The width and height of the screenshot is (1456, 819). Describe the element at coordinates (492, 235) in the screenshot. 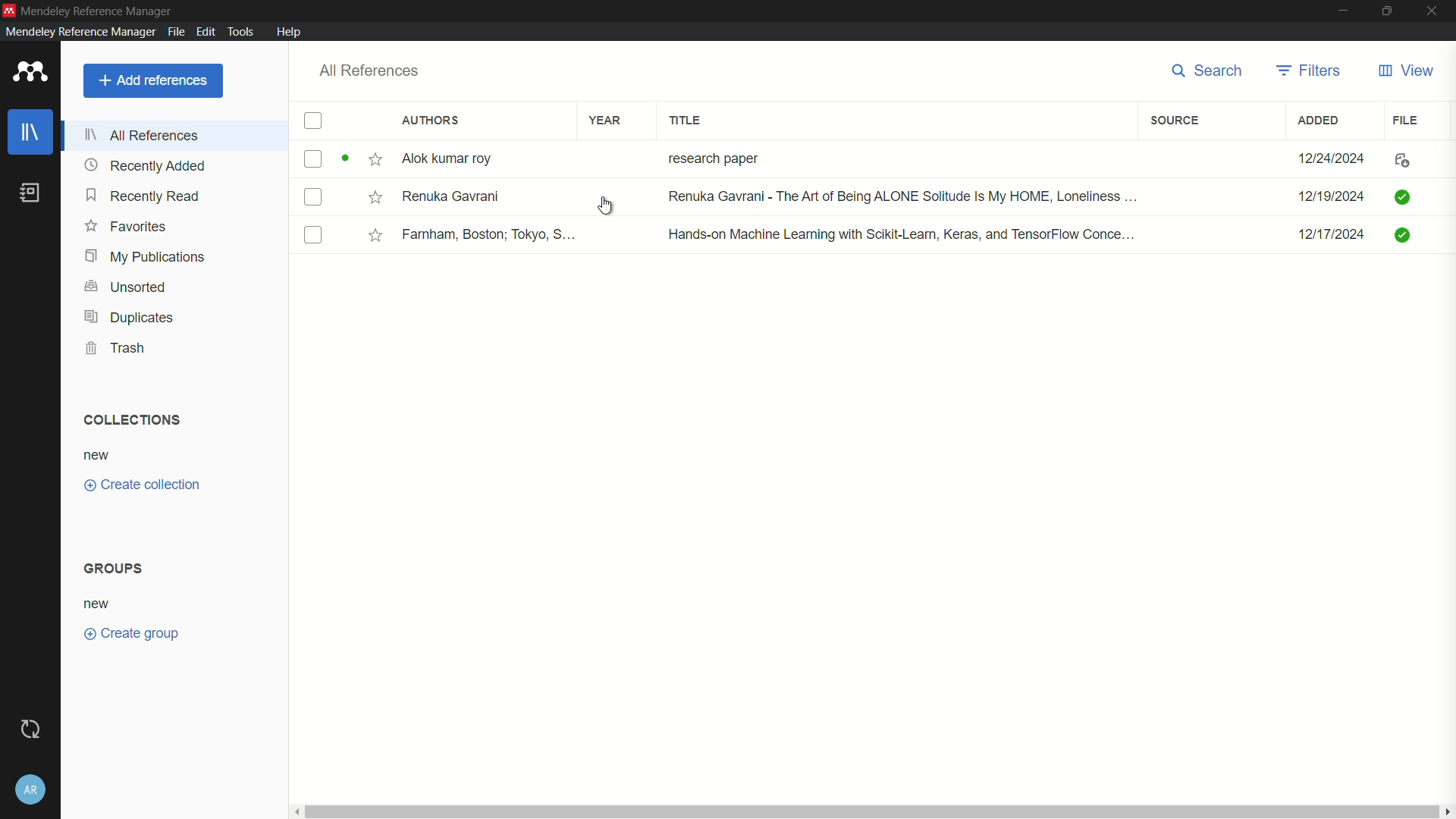

I see `Farnham, Boston; Tokyo, S...` at that location.